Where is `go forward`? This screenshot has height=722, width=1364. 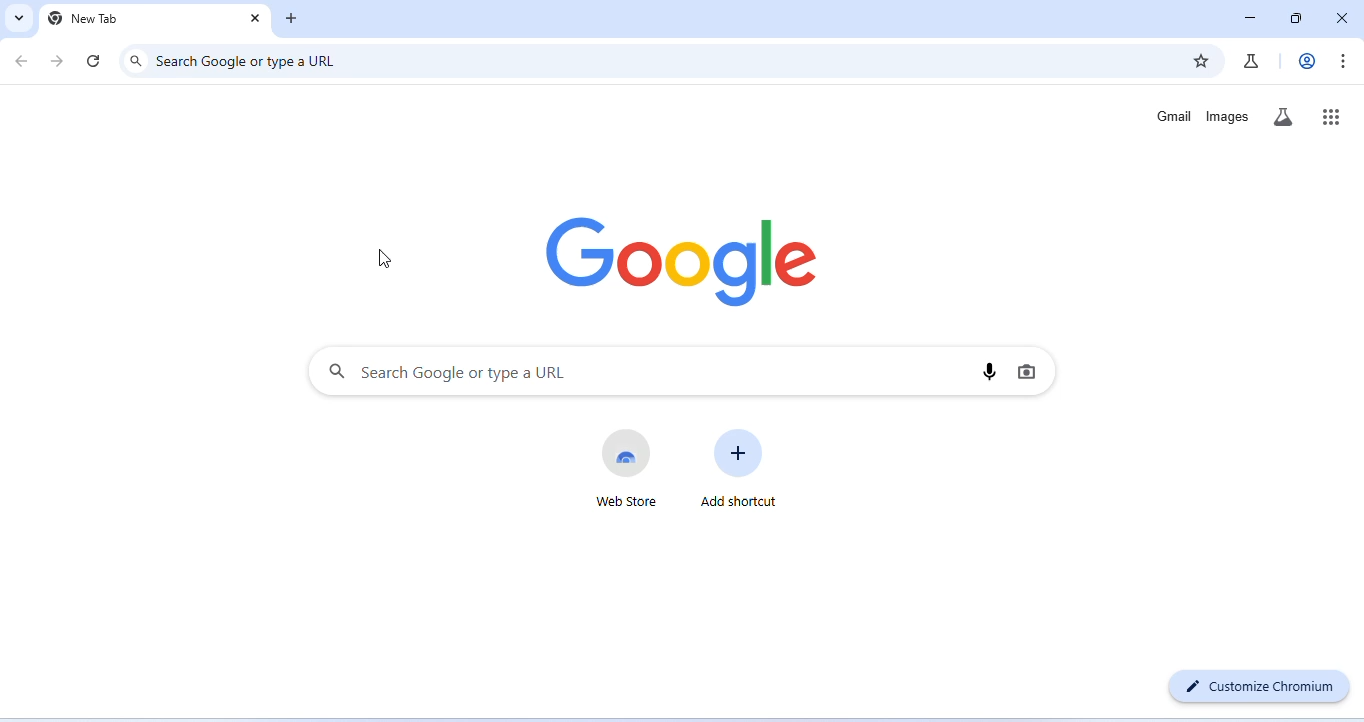 go forward is located at coordinates (60, 60).